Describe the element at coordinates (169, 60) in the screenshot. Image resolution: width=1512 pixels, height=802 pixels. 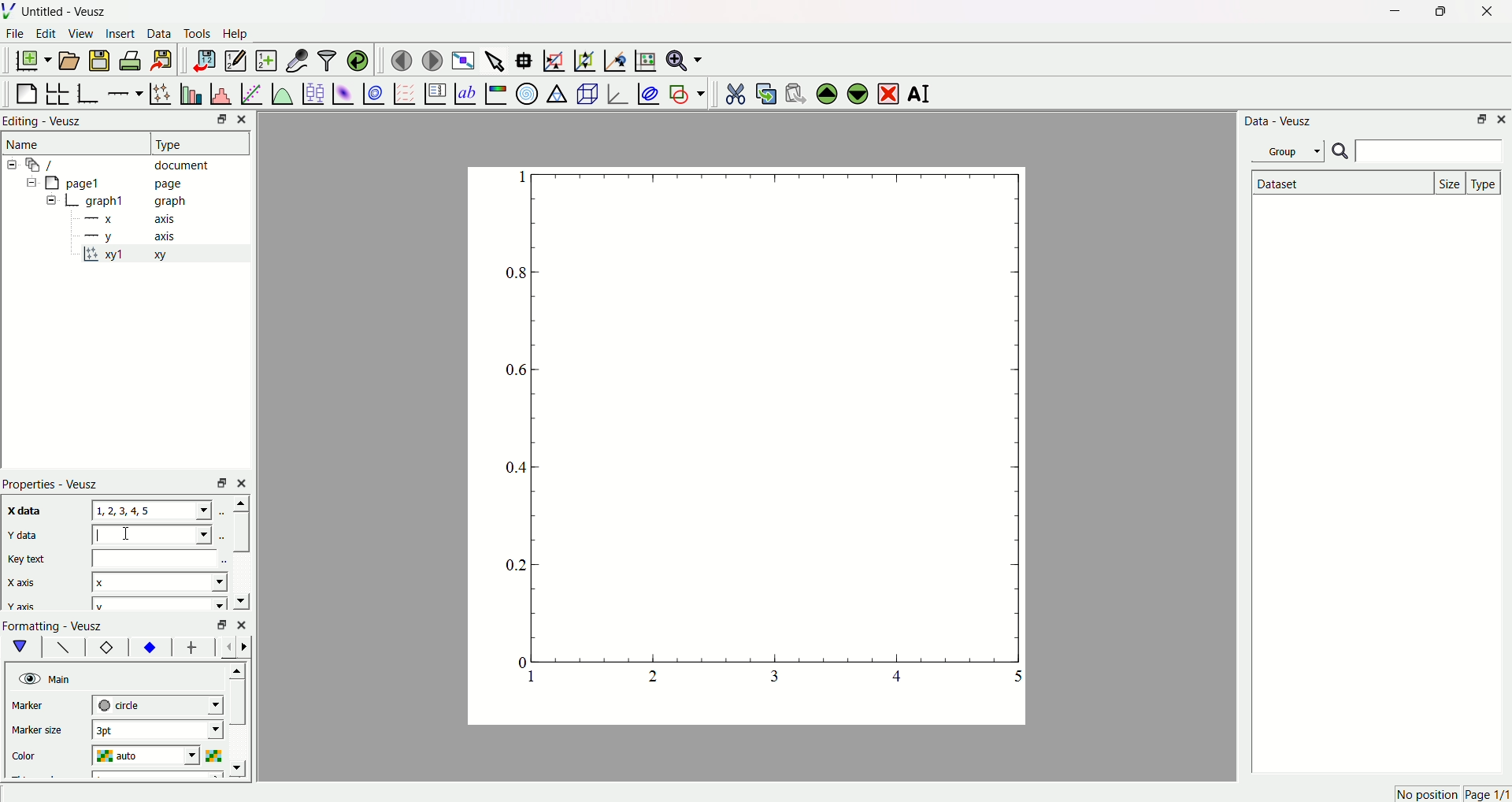
I see `export document` at that location.